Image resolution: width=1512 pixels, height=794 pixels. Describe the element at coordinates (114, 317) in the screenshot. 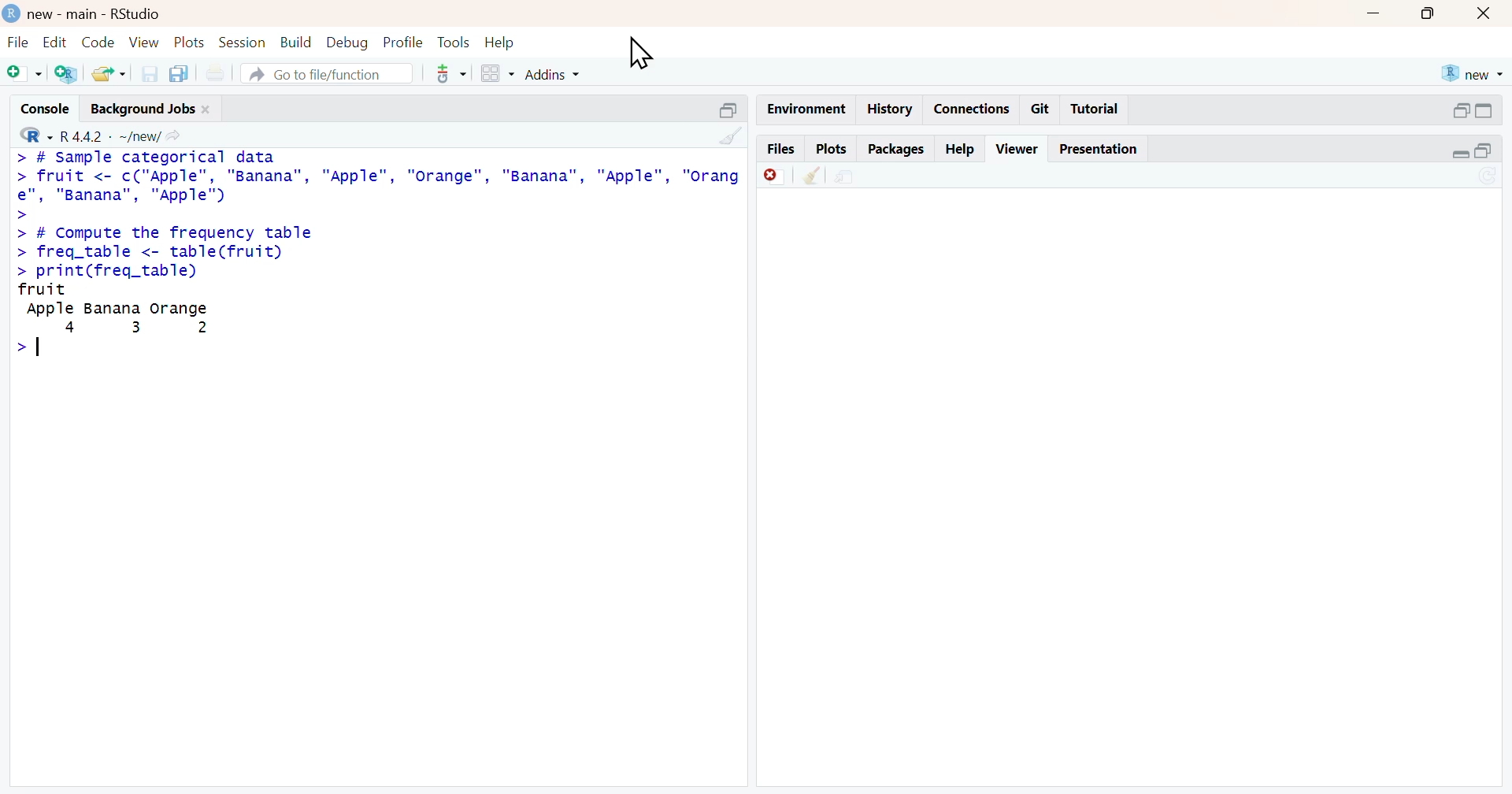

I see `fruit Apple Banana orange4 3 2>` at that location.